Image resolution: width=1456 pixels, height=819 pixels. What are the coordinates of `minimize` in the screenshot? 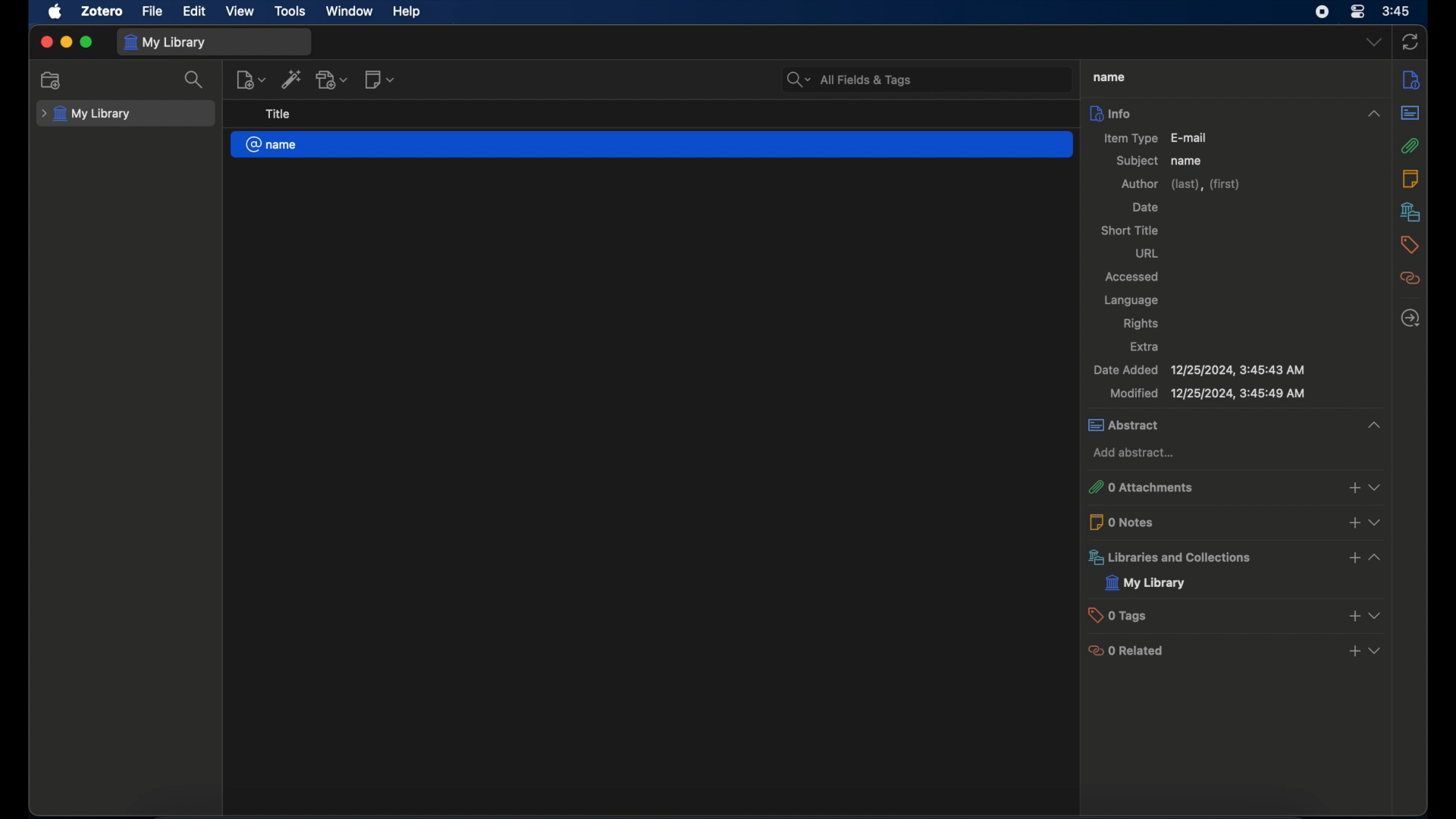 It's located at (67, 42).